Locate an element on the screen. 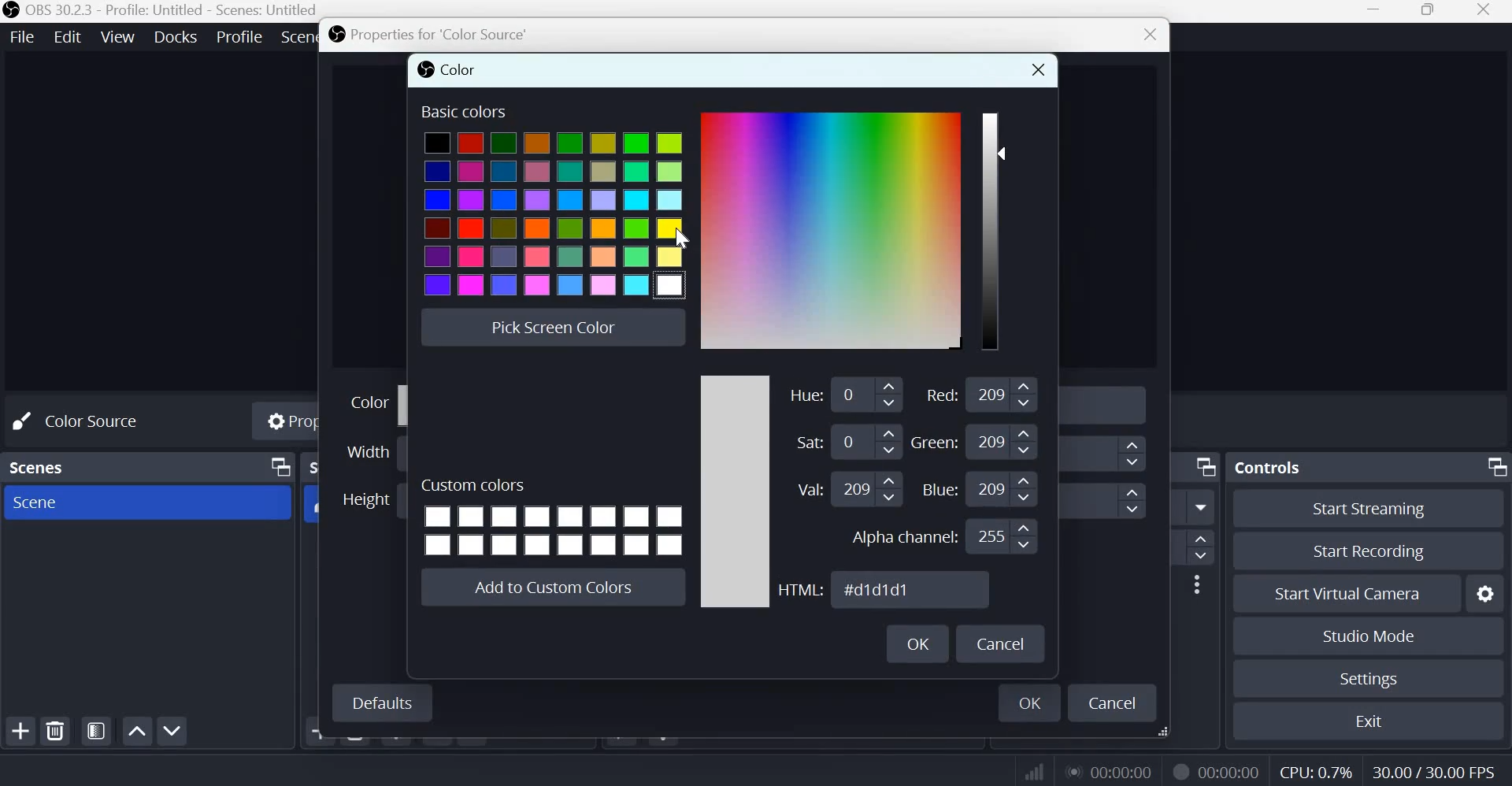  No source selected is located at coordinates (92, 420).